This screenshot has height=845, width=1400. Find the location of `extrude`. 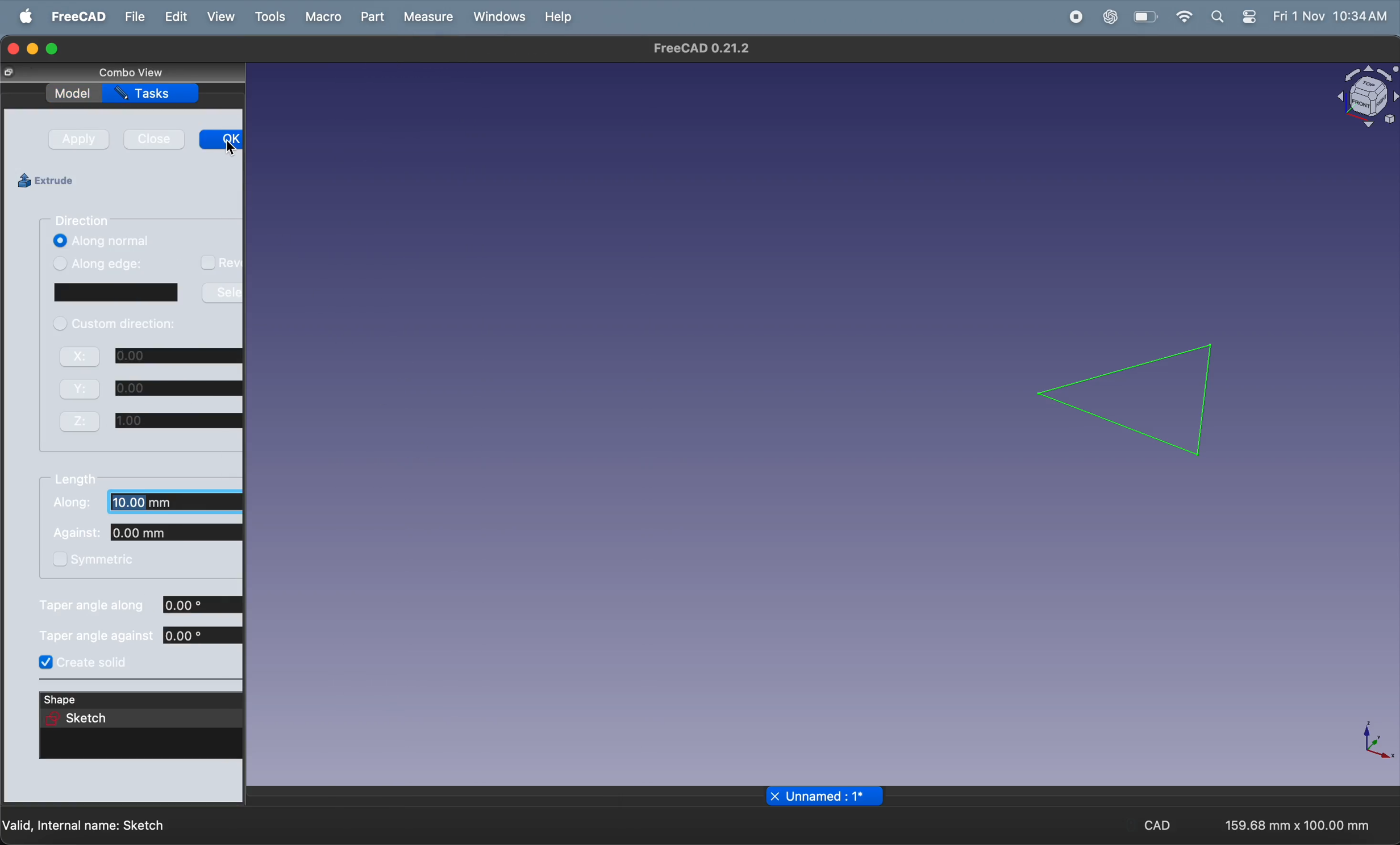

extrude is located at coordinates (57, 181).